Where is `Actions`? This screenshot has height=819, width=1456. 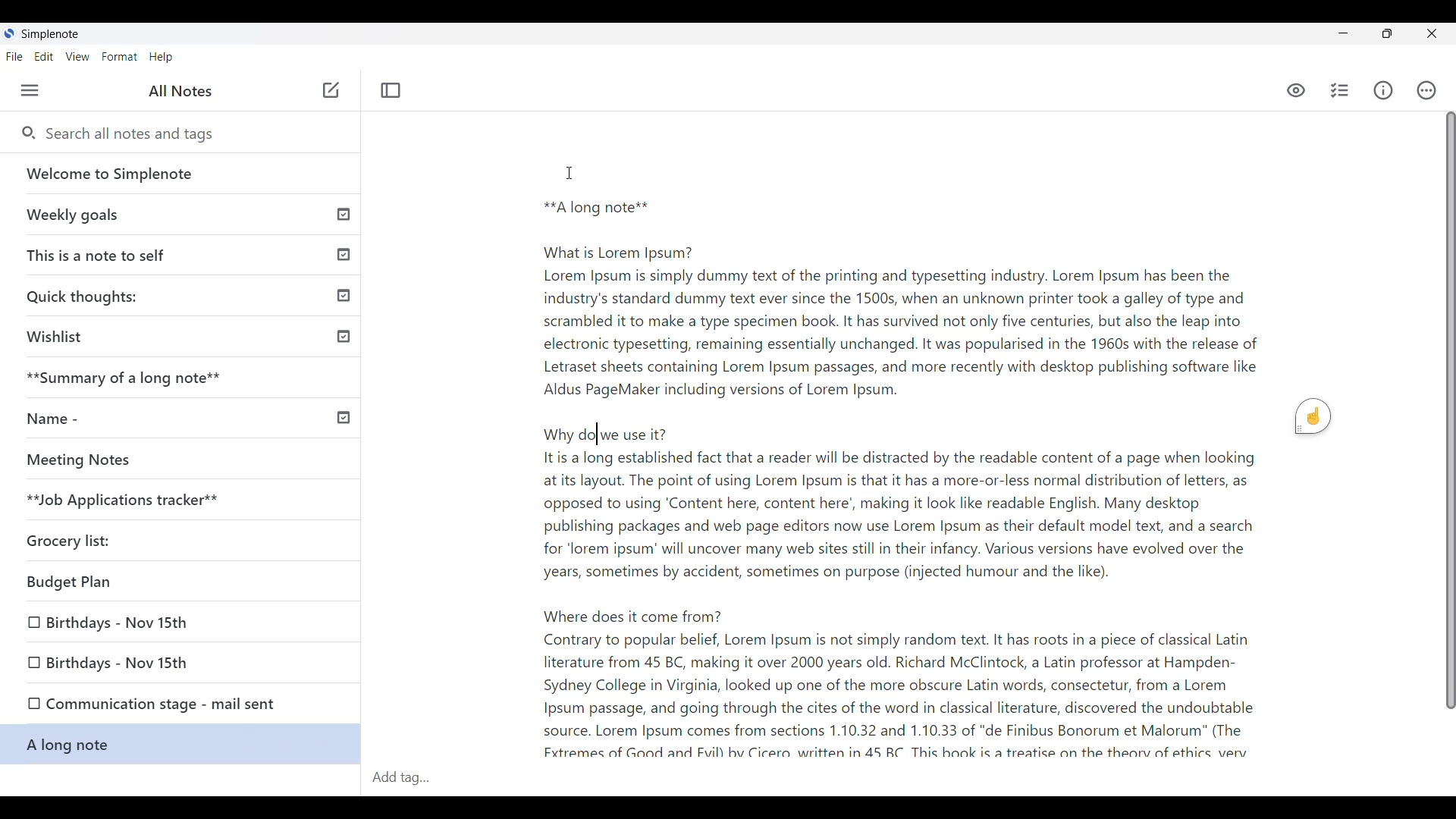
Actions is located at coordinates (1427, 90).